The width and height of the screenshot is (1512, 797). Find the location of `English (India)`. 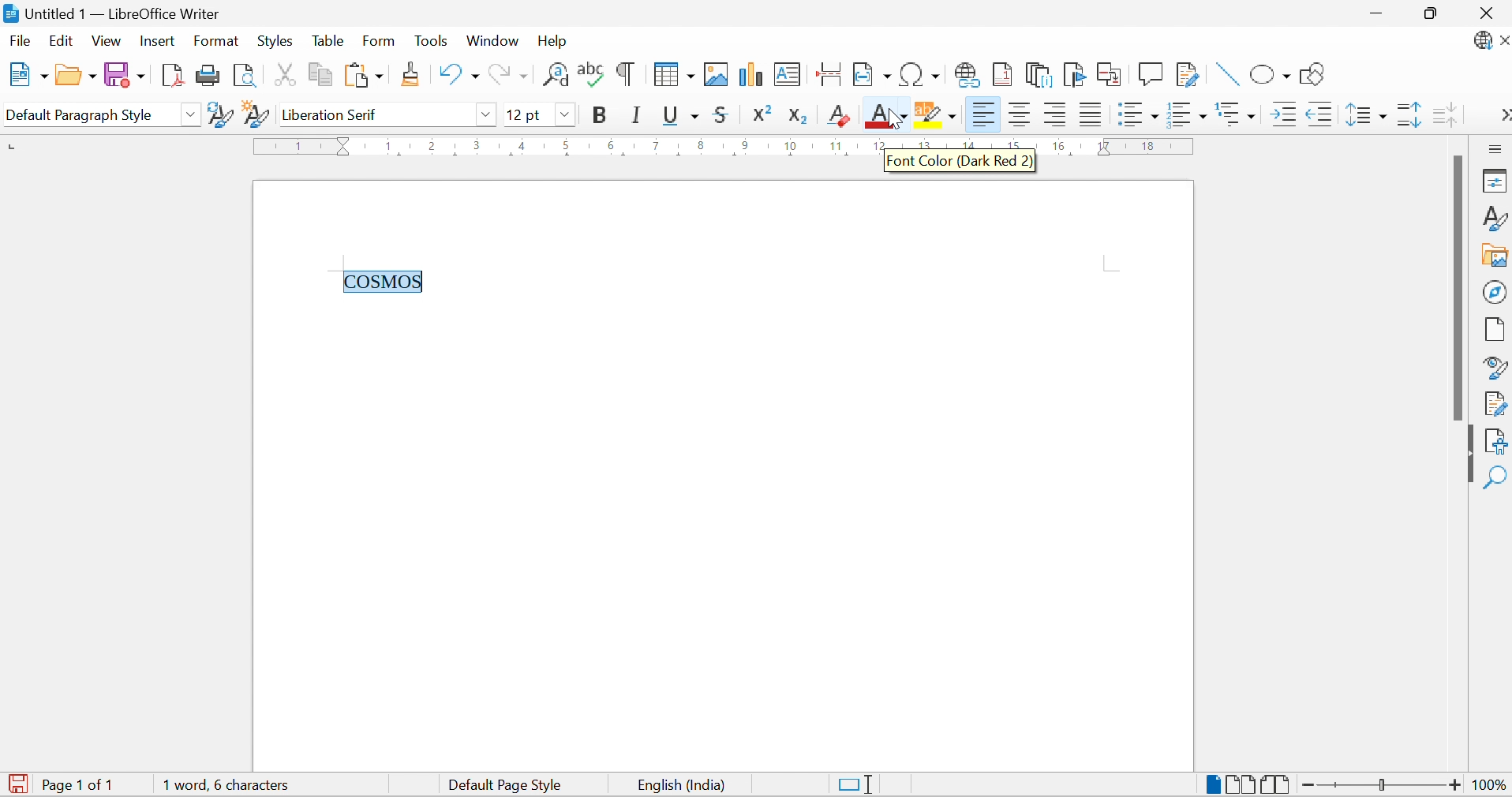

English (India) is located at coordinates (678, 786).